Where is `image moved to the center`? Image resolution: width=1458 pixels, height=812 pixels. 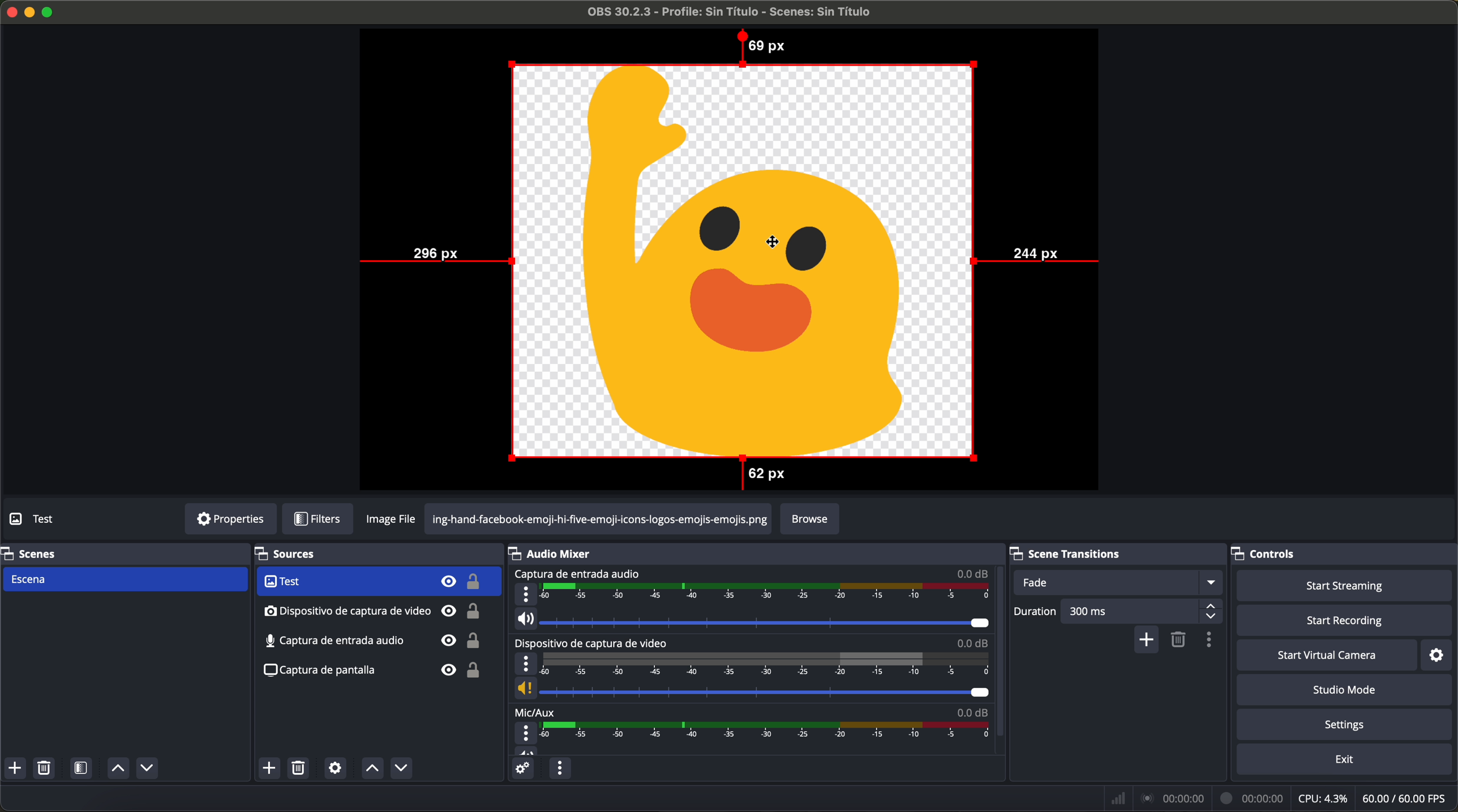
image moved to the center is located at coordinates (744, 260).